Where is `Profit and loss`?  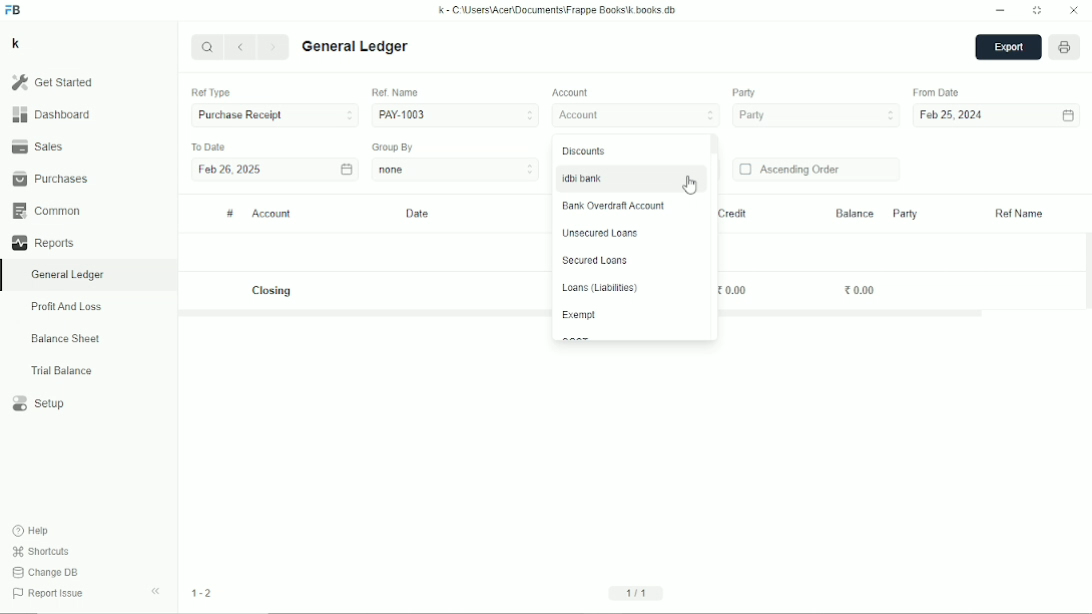 Profit and loss is located at coordinates (66, 307).